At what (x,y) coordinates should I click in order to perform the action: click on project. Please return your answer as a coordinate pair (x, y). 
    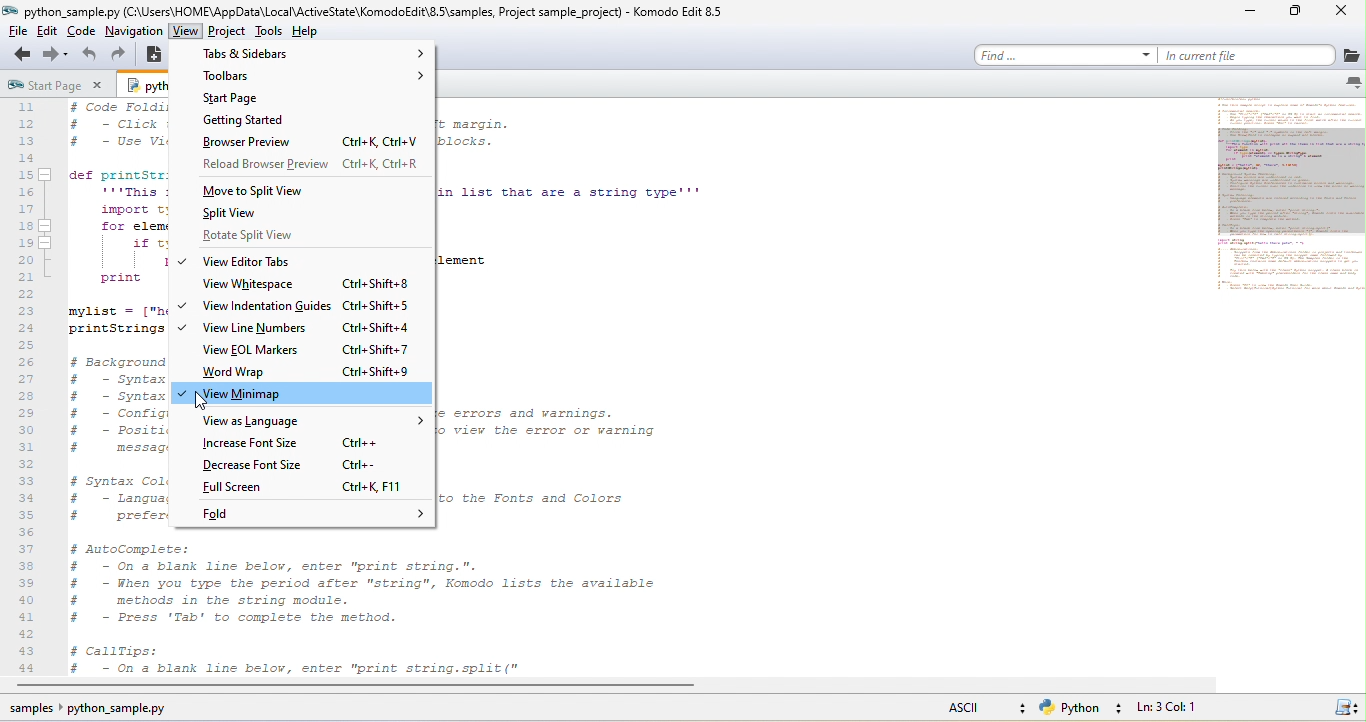
    Looking at the image, I should click on (232, 35).